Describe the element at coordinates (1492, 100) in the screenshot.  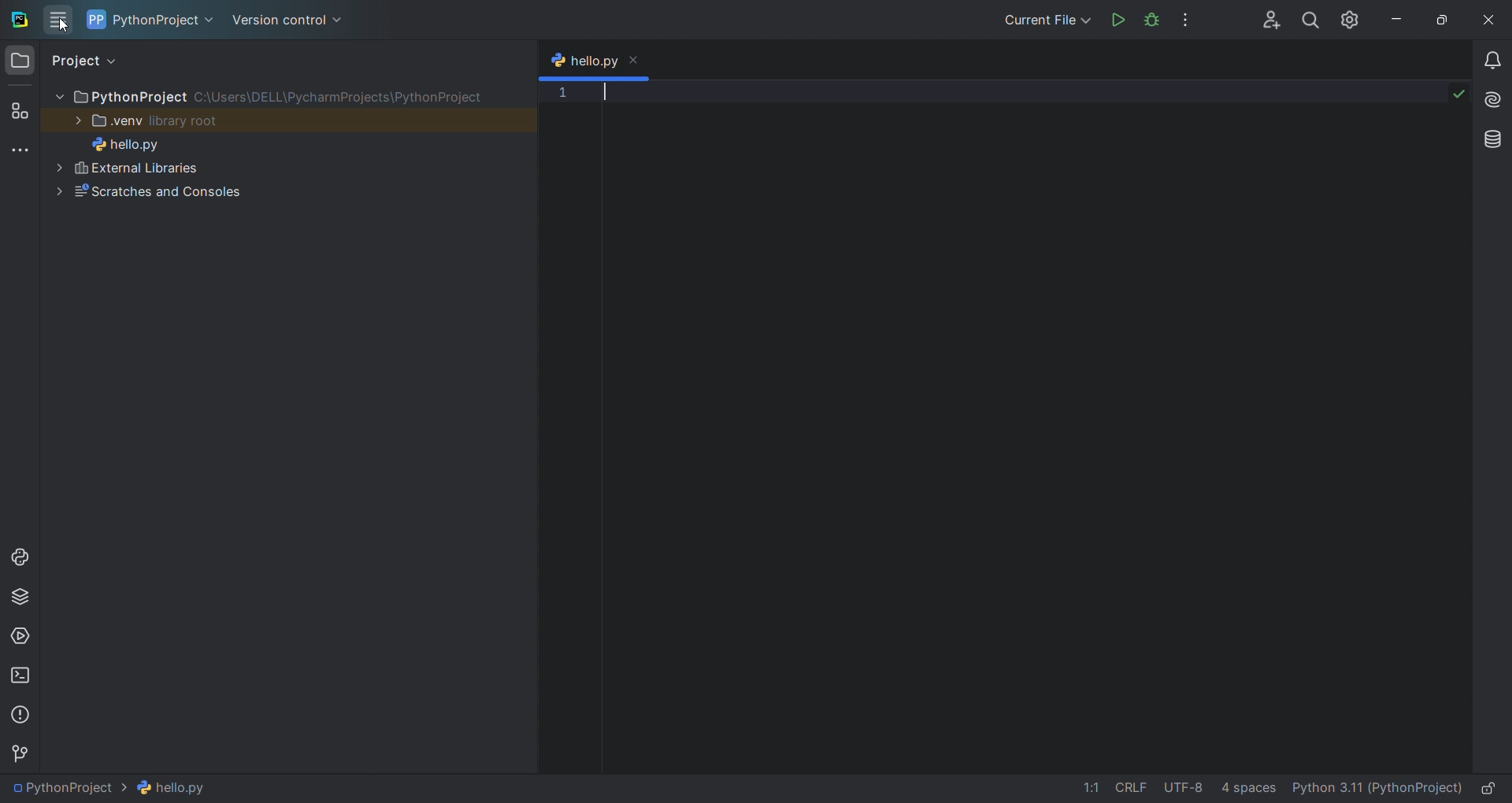
I see `ai assistant` at that location.